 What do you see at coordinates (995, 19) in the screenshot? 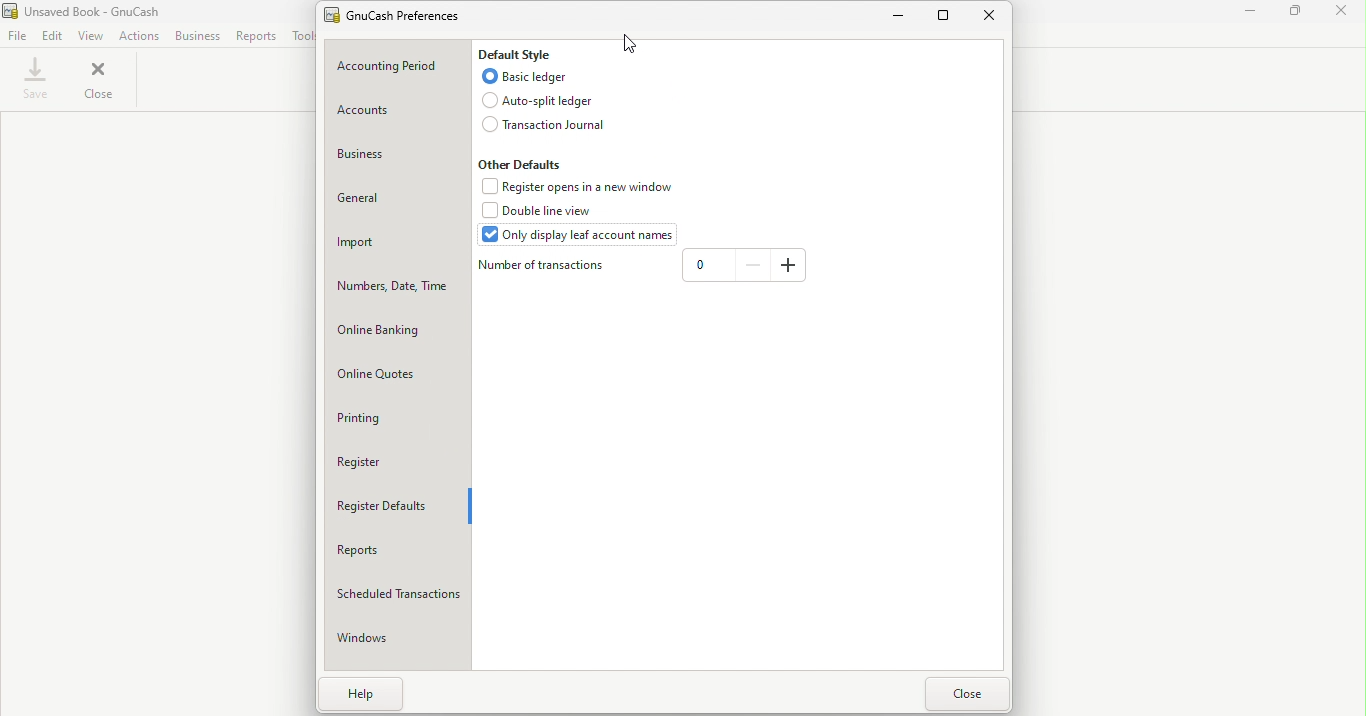
I see `Close` at bounding box center [995, 19].